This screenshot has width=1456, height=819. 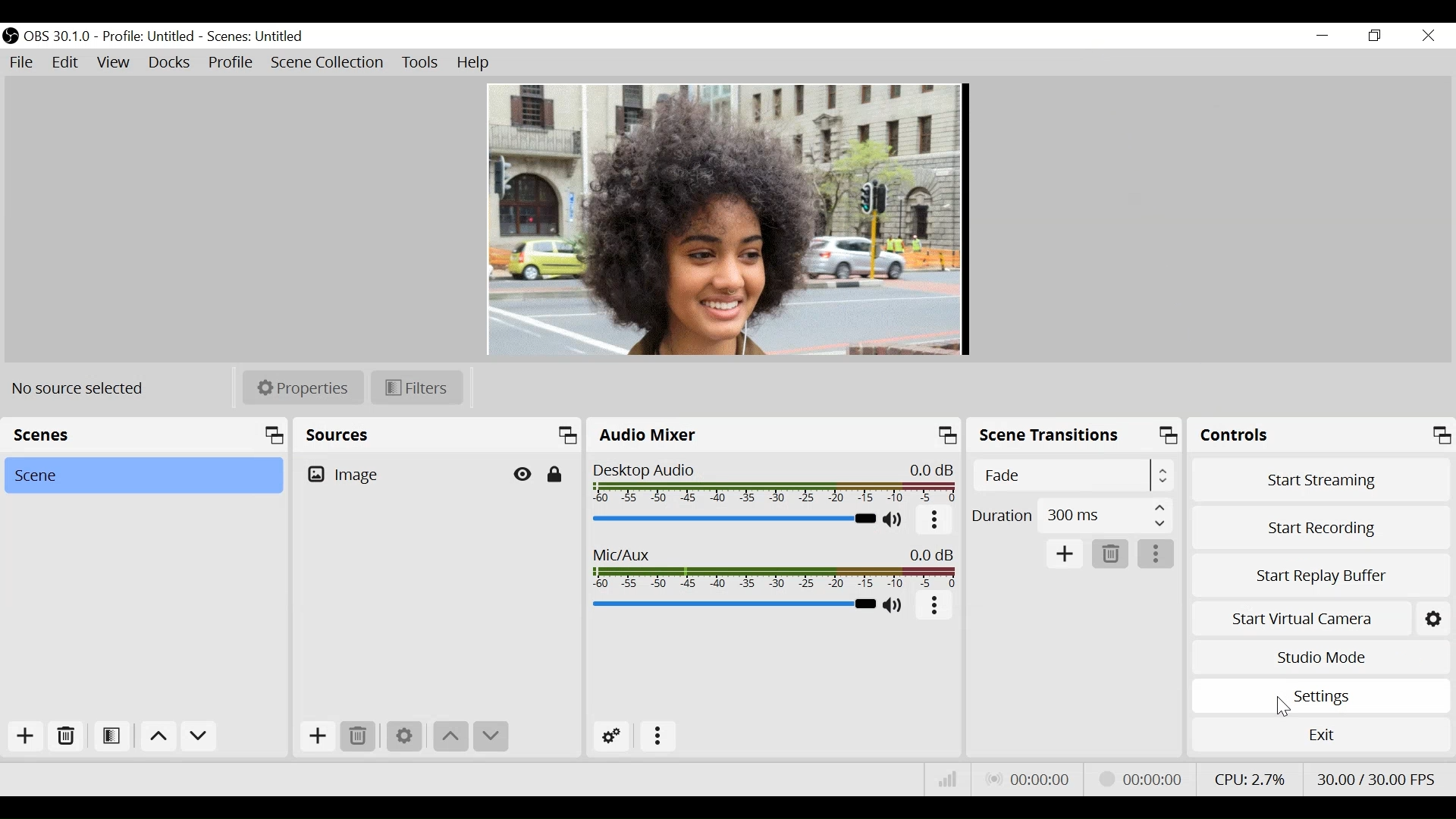 I want to click on Settings, so click(x=1432, y=617).